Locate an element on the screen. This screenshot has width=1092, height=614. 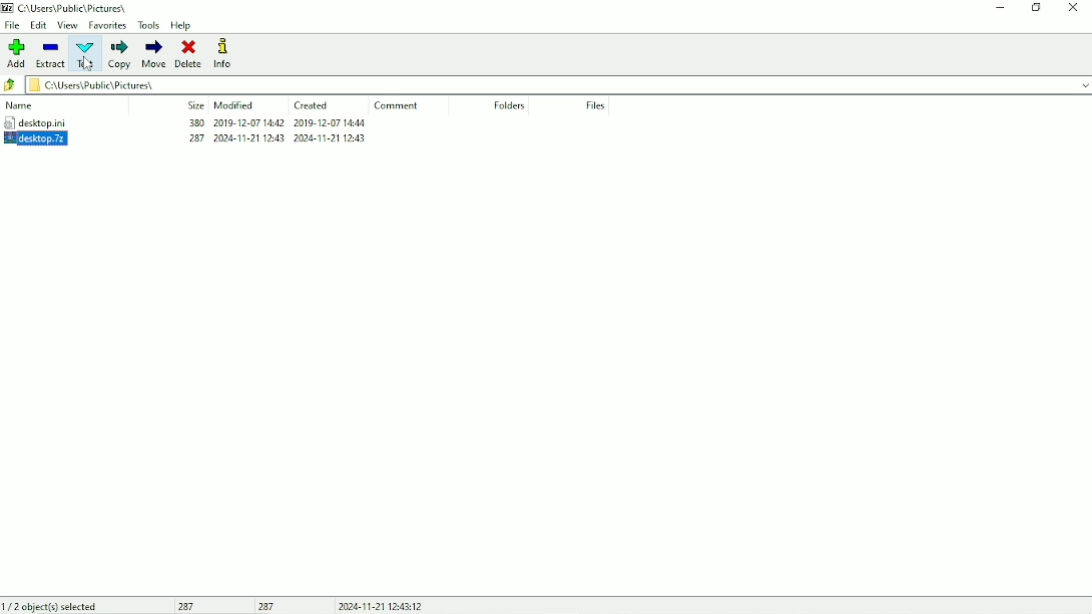
Copy is located at coordinates (121, 54).